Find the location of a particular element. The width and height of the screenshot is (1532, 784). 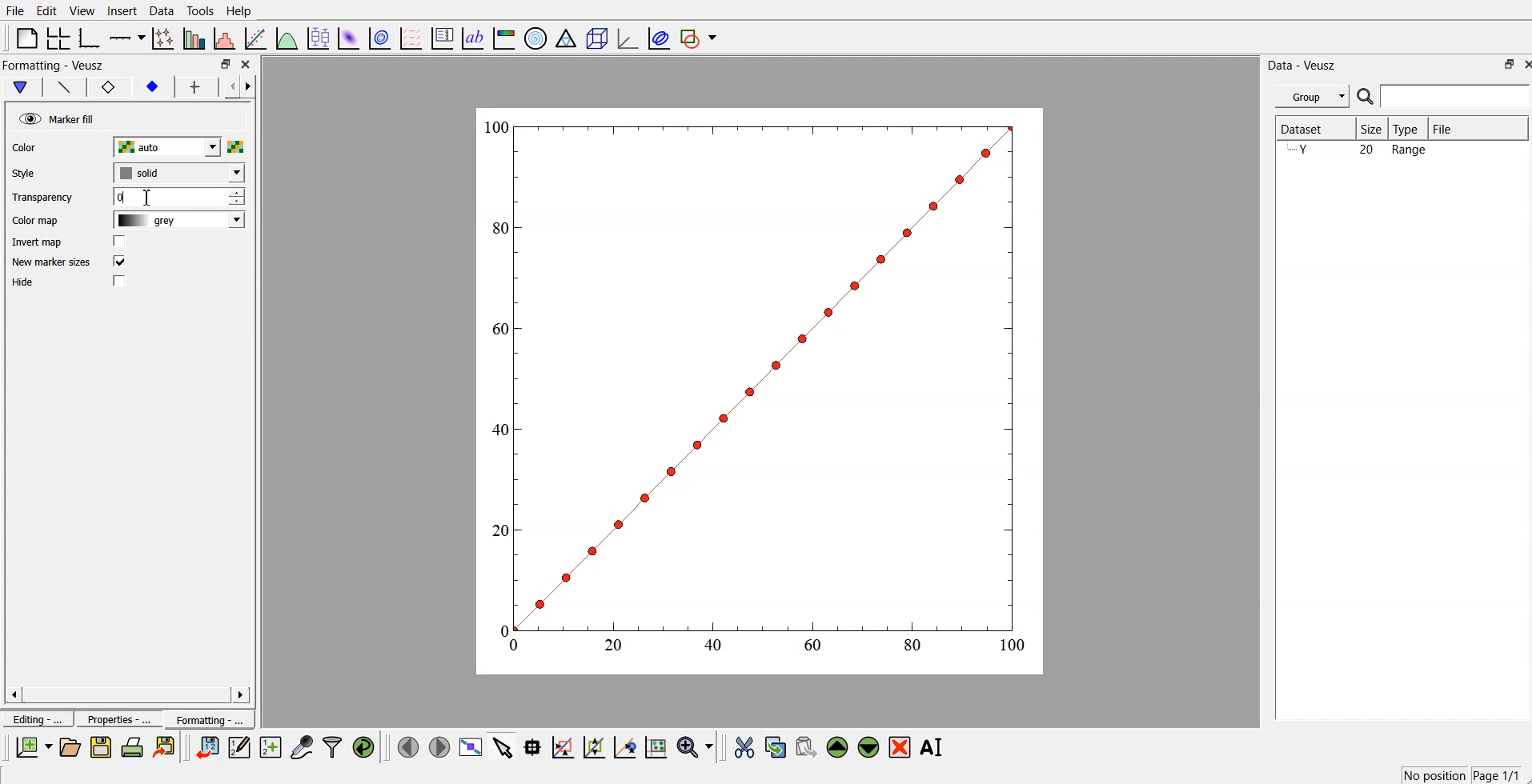

Dataset is located at coordinates (1312, 129).